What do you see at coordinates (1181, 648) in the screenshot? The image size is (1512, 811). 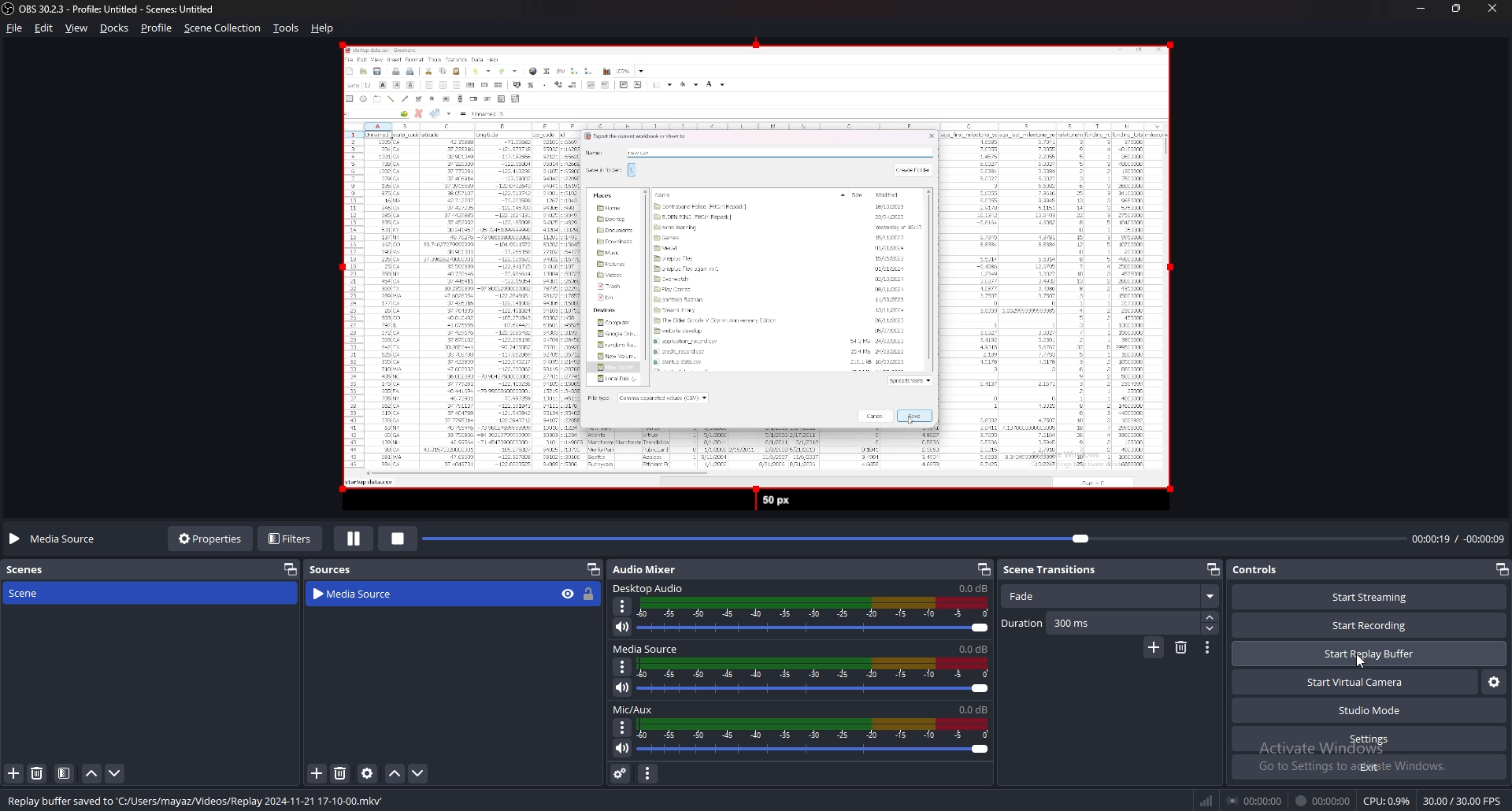 I see `delete transition` at bounding box center [1181, 648].